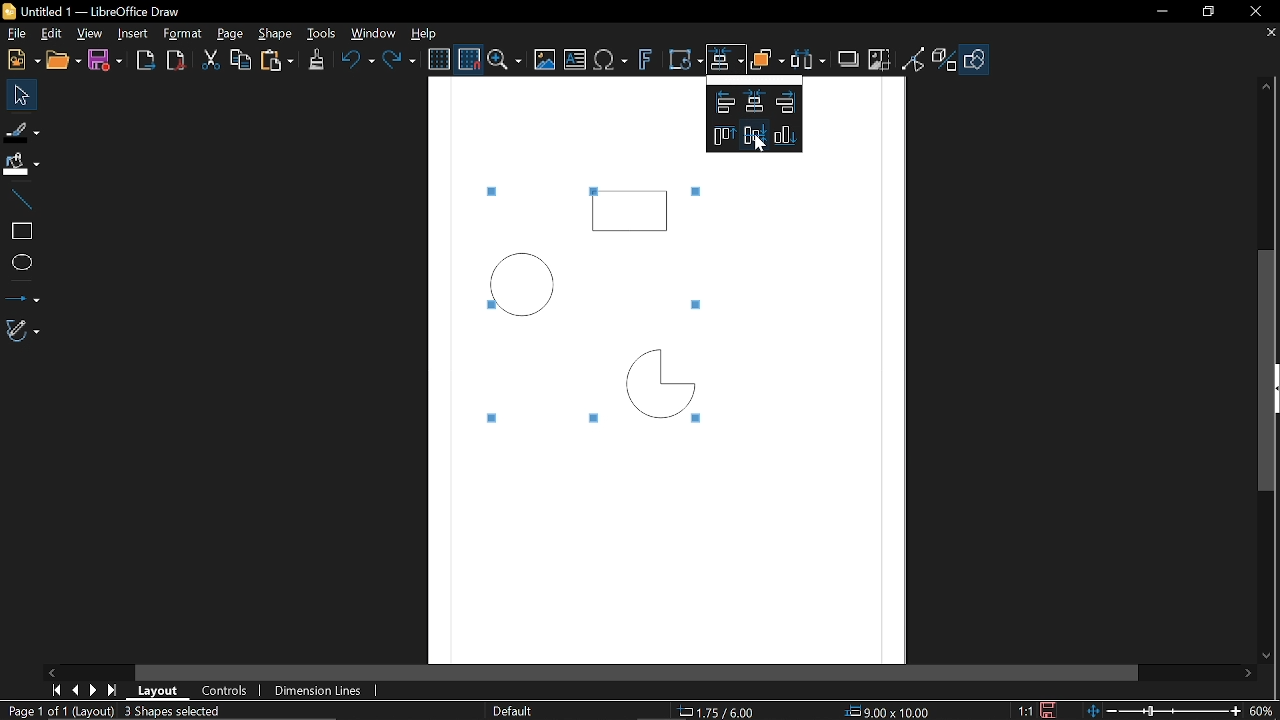 Image resolution: width=1280 pixels, height=720 pixels. What do you see at coordinates (1254, 9) in the screenshot?
I see `Close window` at bounding box center [1254, 9].